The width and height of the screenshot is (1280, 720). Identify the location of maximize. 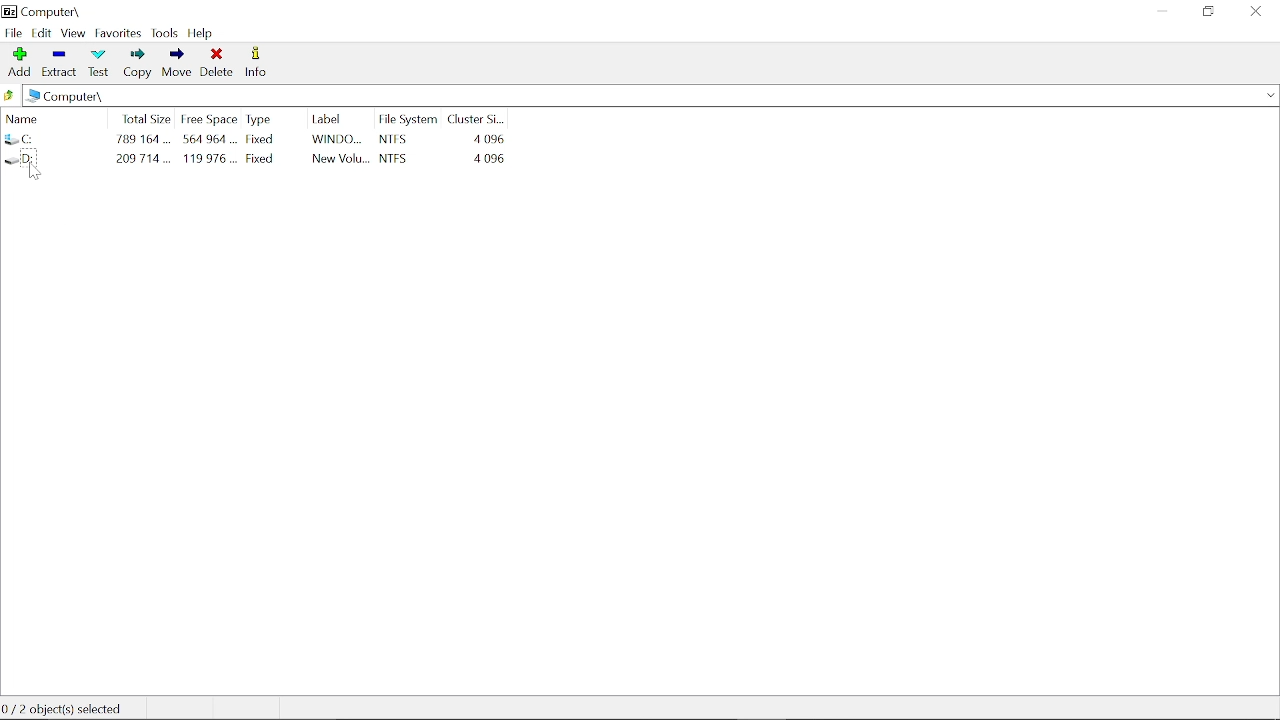
(1206, 14).